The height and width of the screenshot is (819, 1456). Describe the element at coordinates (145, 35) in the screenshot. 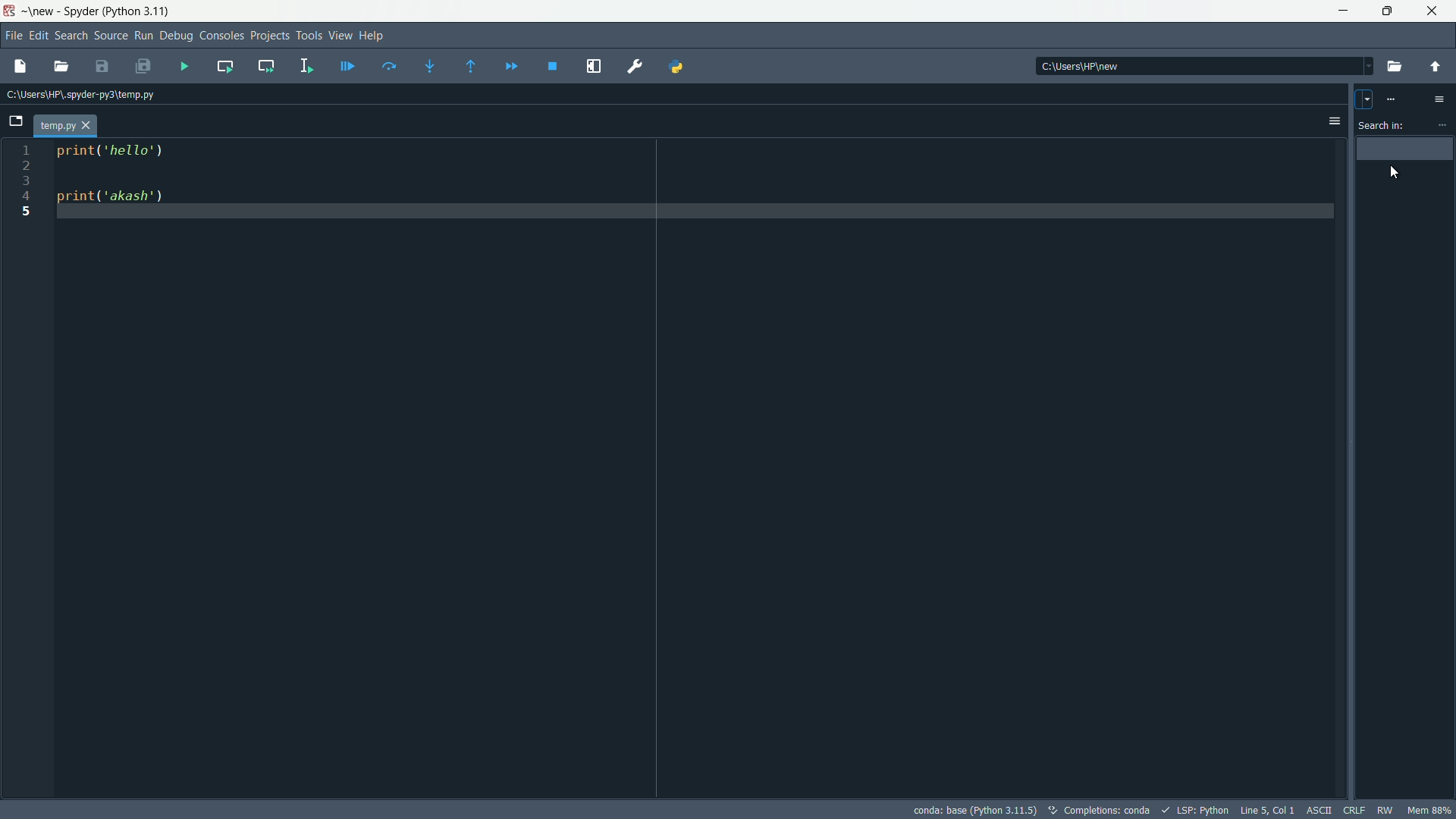

I see `Run Menu` at that location.